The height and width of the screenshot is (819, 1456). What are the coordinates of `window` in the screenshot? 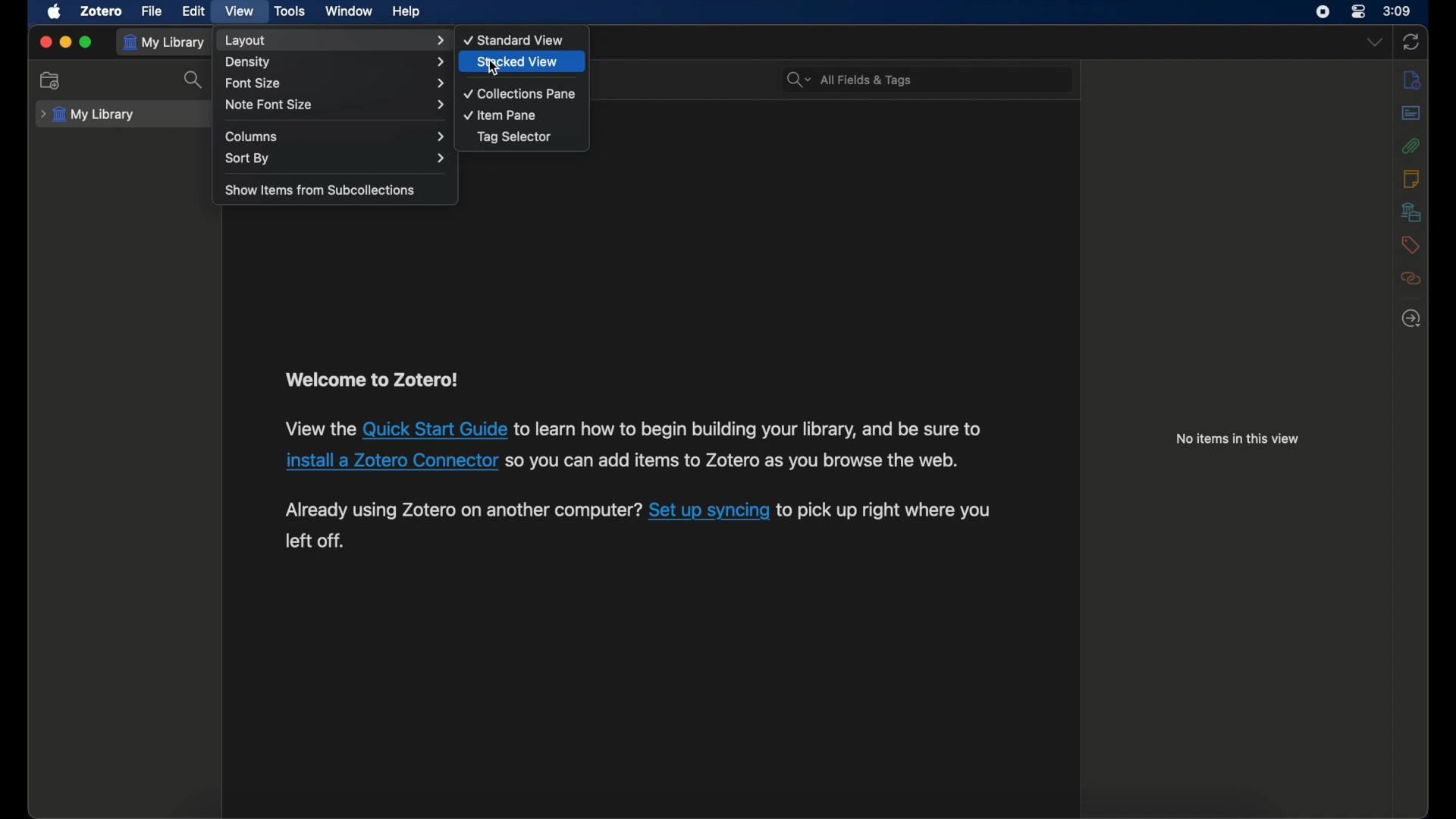 It's located at (349, 11).